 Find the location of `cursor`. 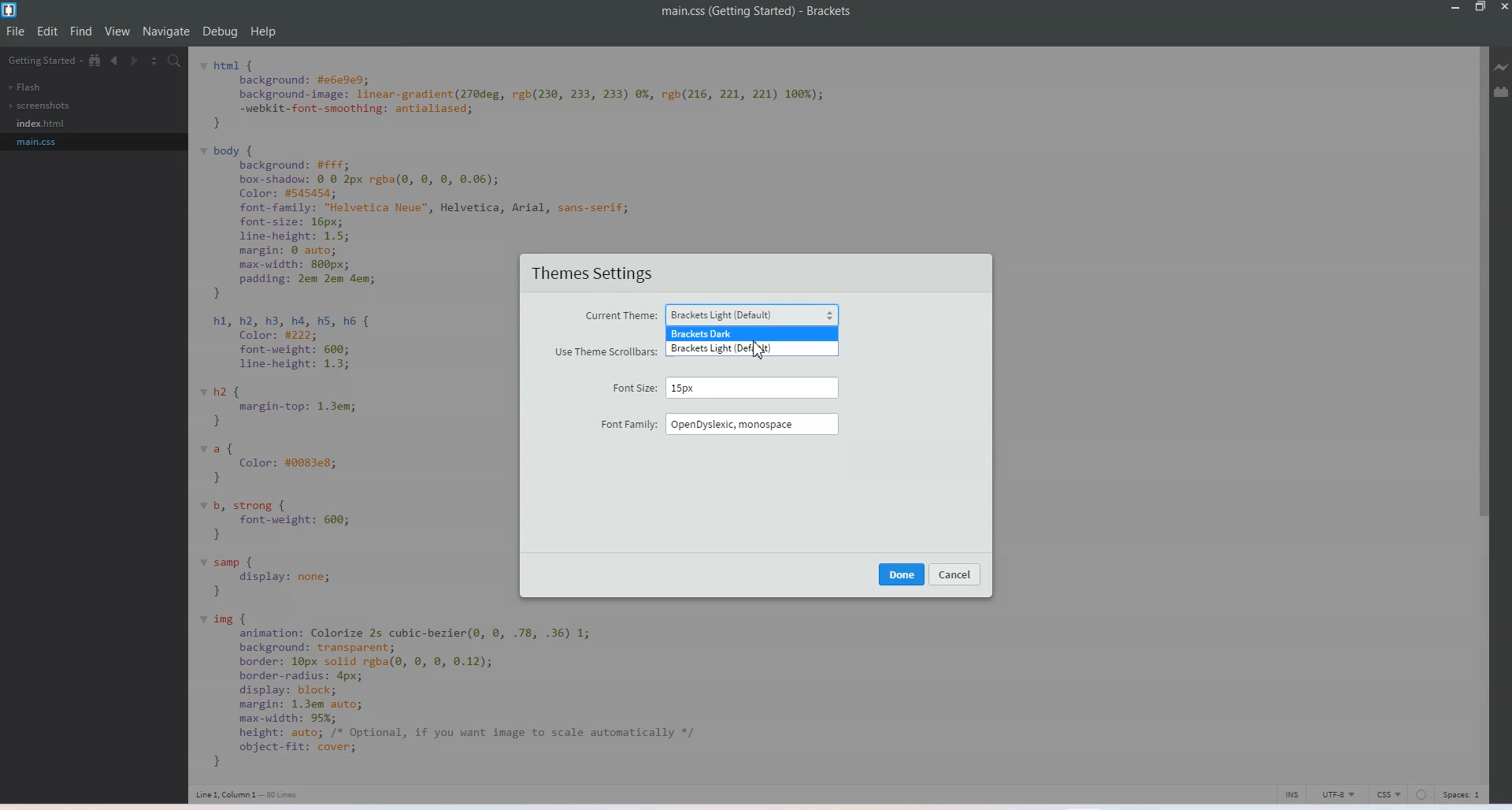

cursor is located at coordinates (765, 351).